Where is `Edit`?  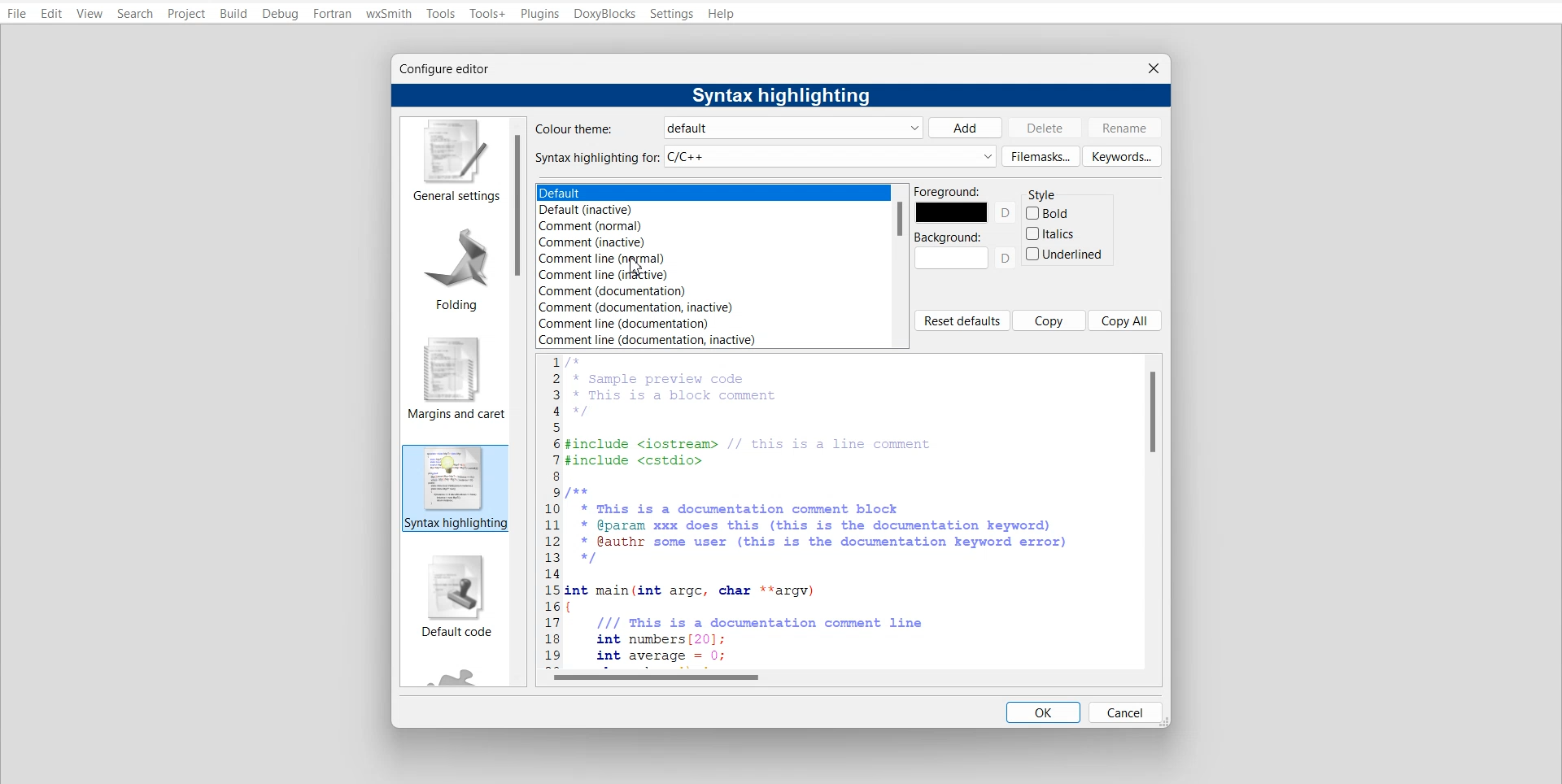
Edit is located at coordinates (51, 14).